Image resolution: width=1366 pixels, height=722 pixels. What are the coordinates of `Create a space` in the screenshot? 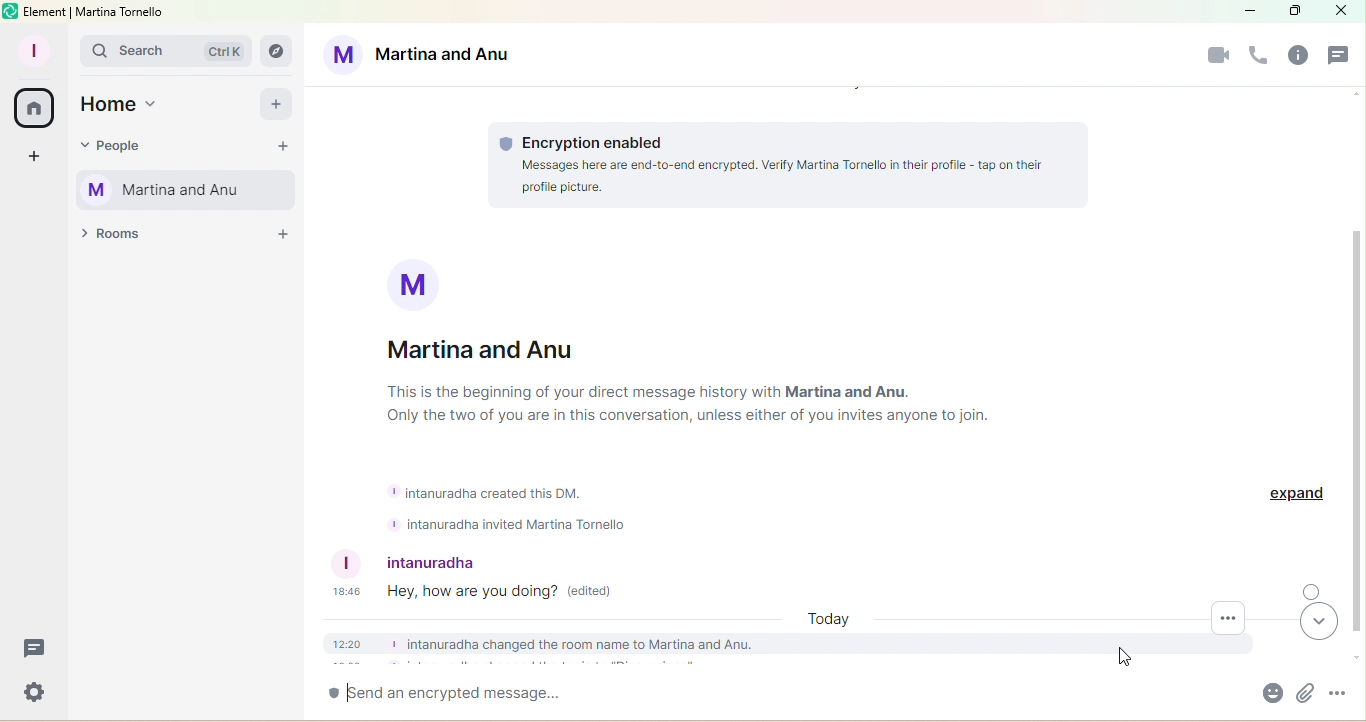 It's located at (31, 157).